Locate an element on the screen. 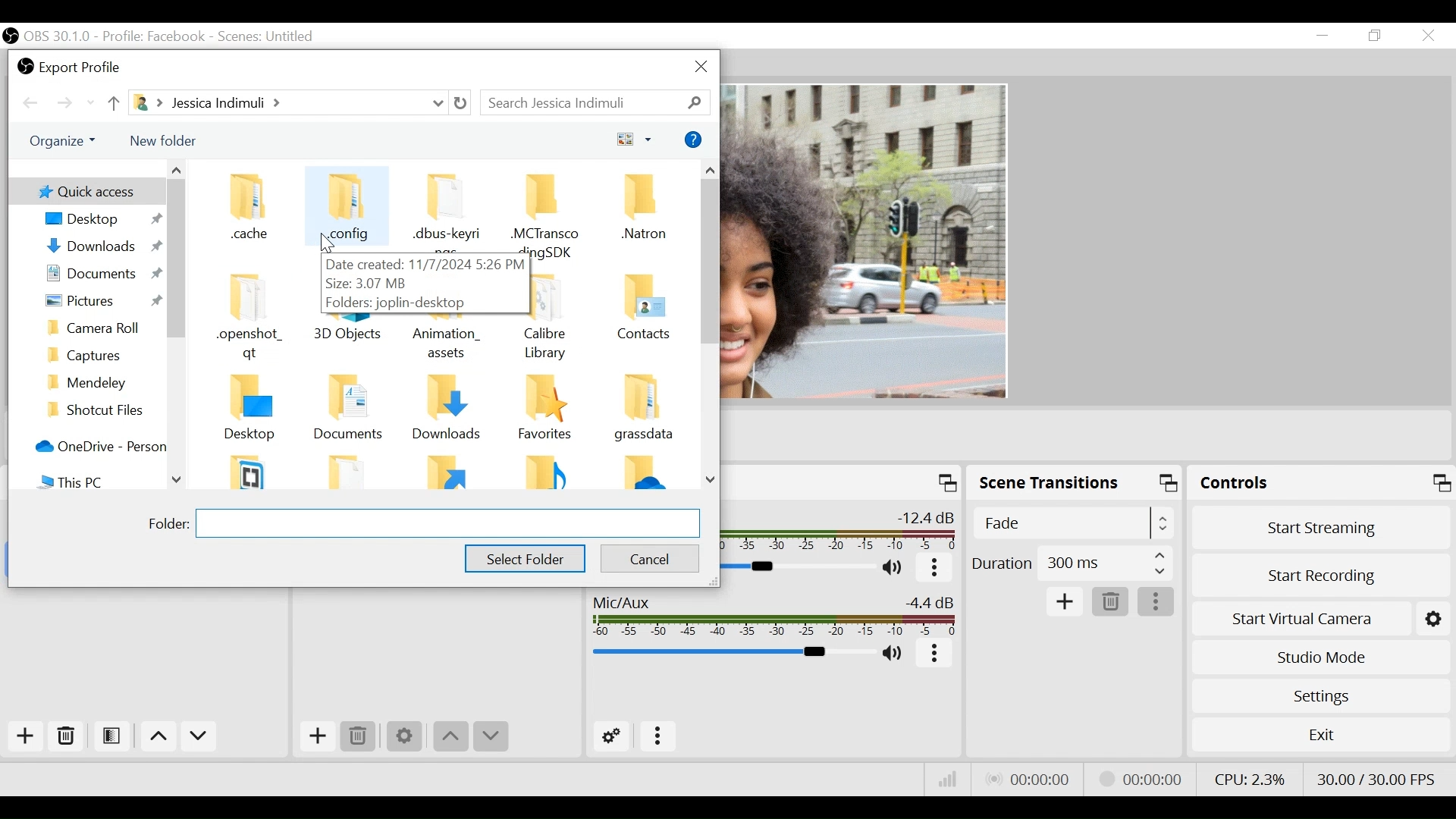  Folder is located at coordinates (256, 470).